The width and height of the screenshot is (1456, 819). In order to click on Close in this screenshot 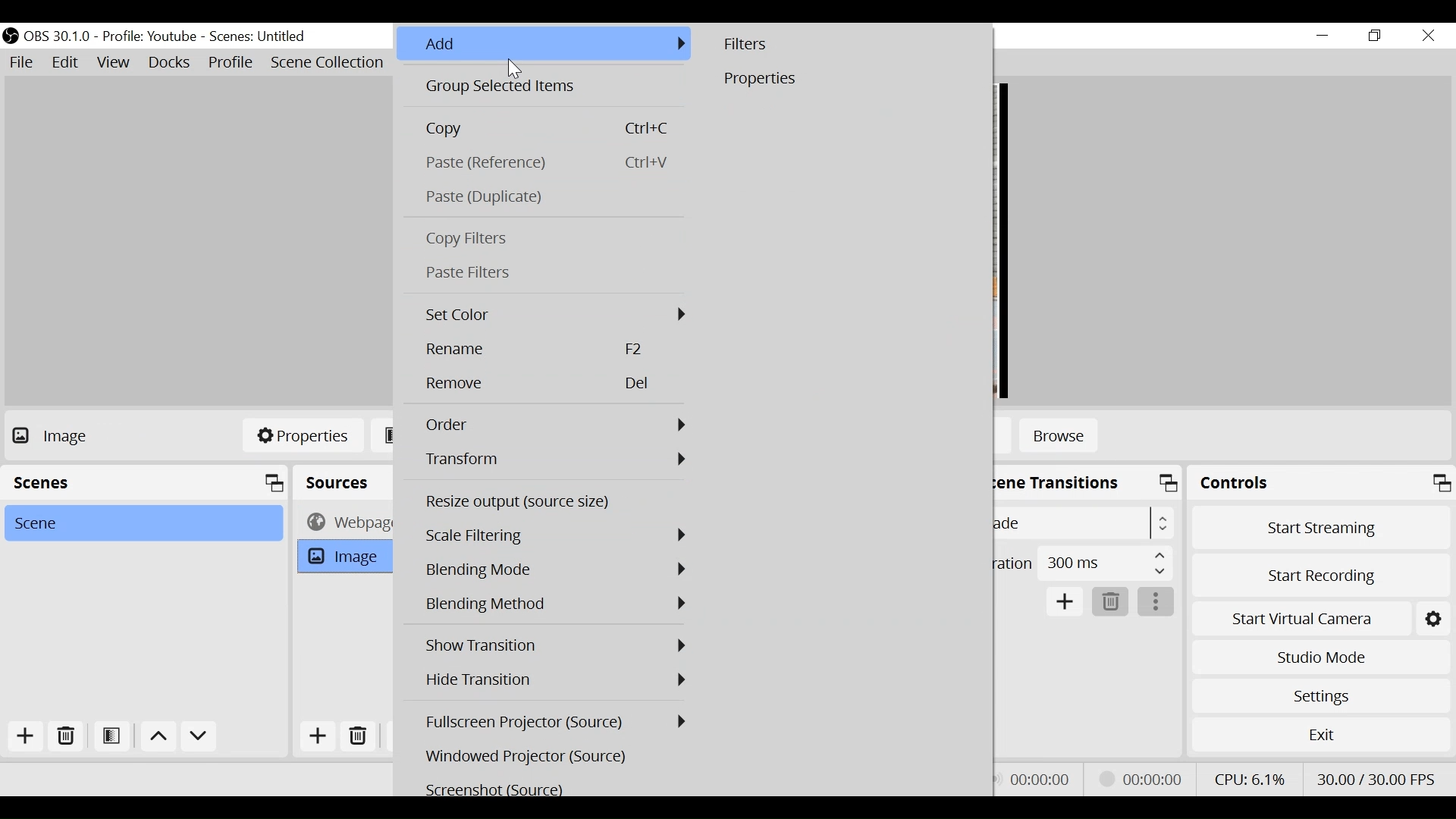, I will do `click(1429, 37)`.